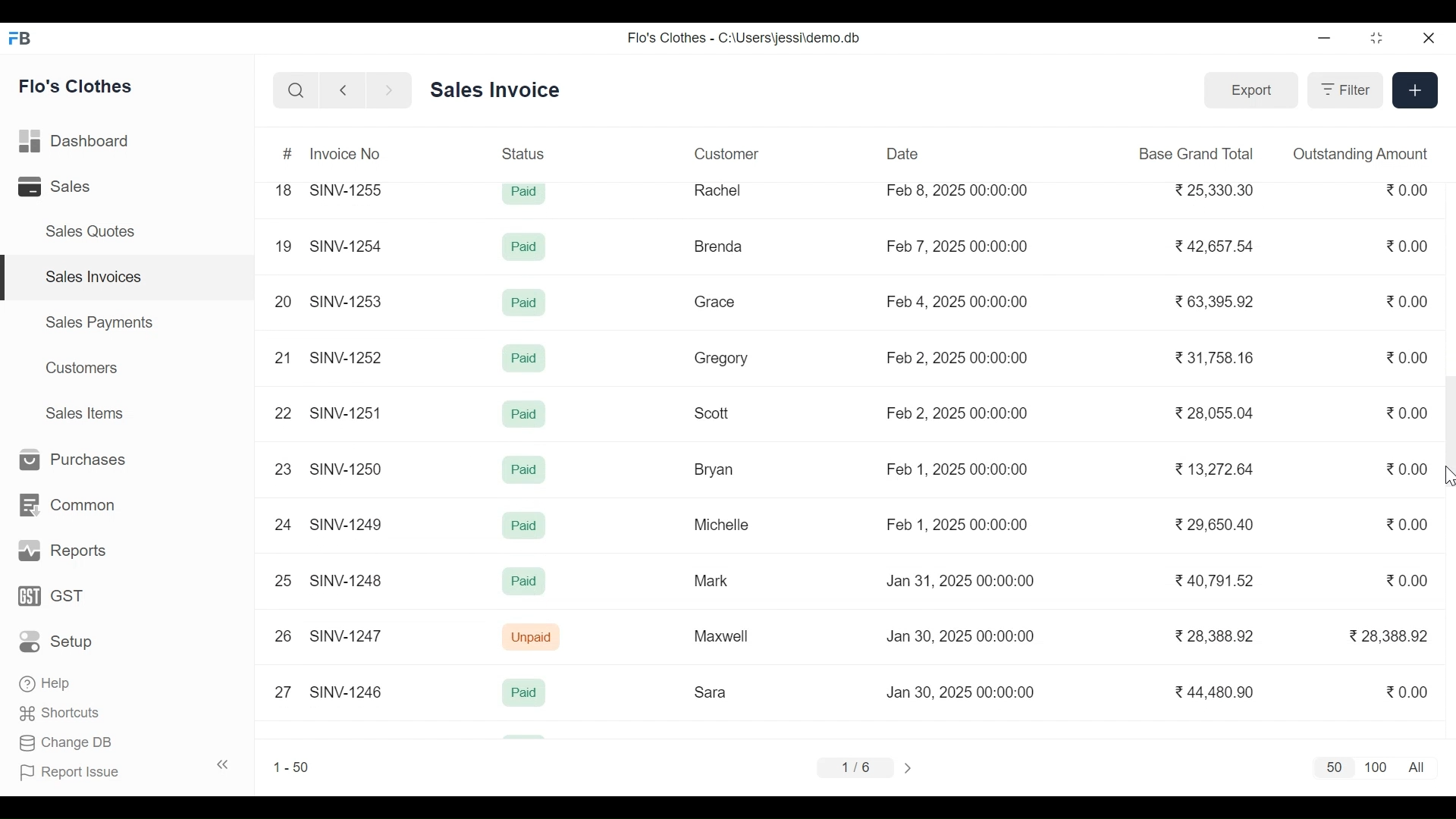 The image size is (1456, 819). Describe the element at coordinates (533, 638) in the screenshot. I see `Unpaid` at that location.